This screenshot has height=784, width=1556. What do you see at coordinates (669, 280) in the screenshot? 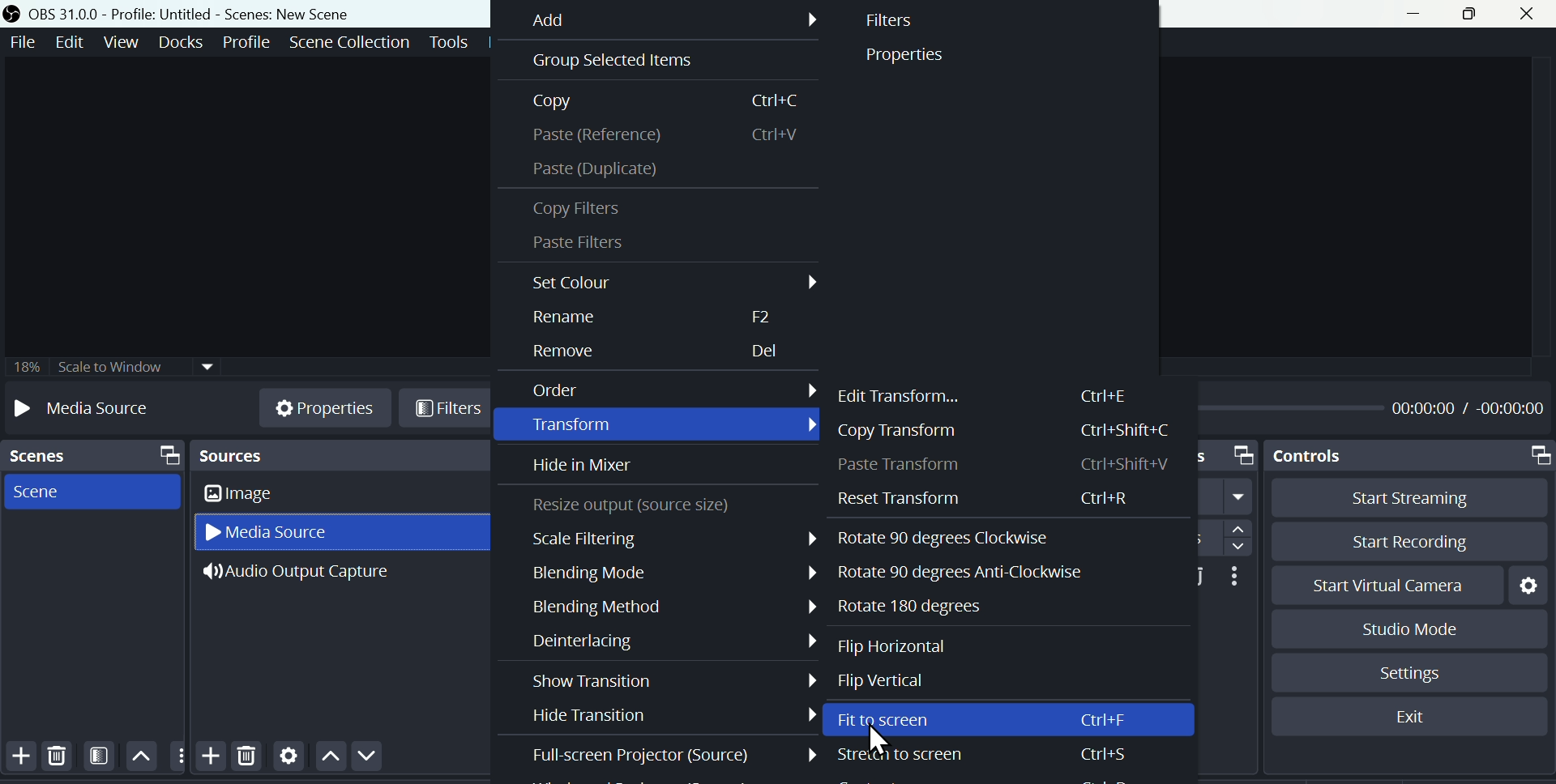
I see `Set colour` at bounding box center [669, 280].